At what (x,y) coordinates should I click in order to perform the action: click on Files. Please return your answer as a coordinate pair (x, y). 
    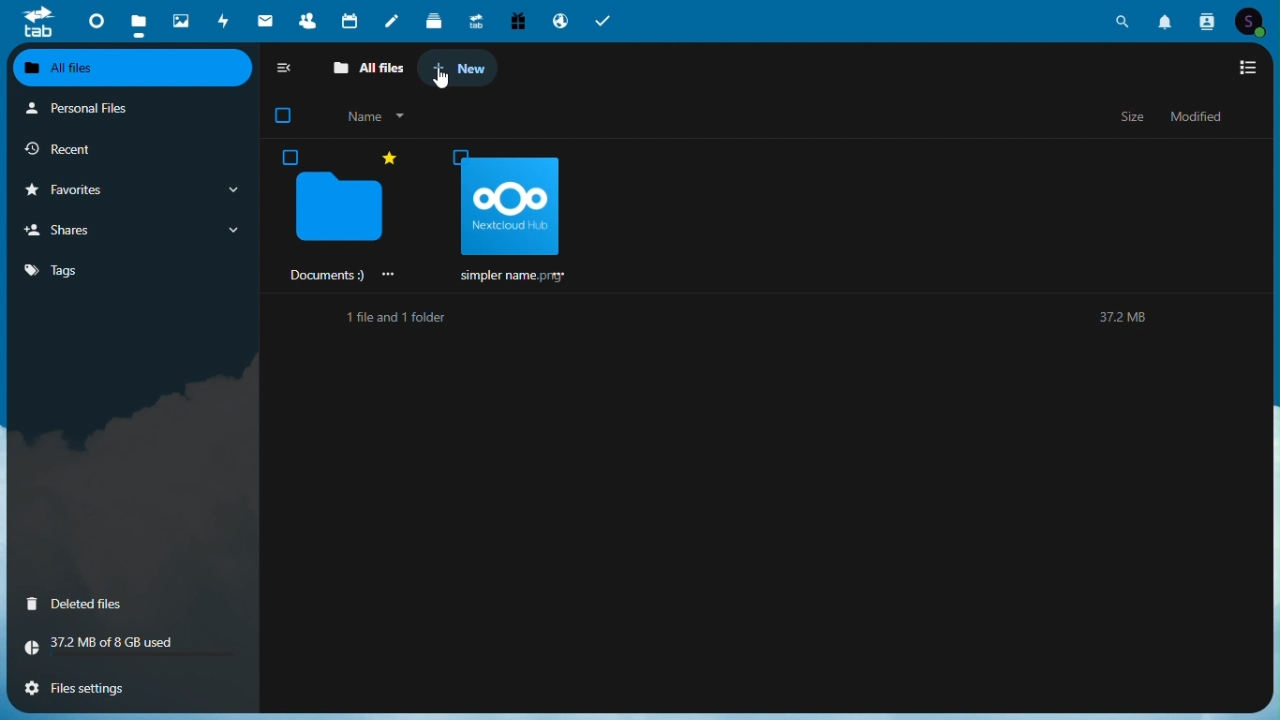
    Looking at the image, I should click on (141, 19).